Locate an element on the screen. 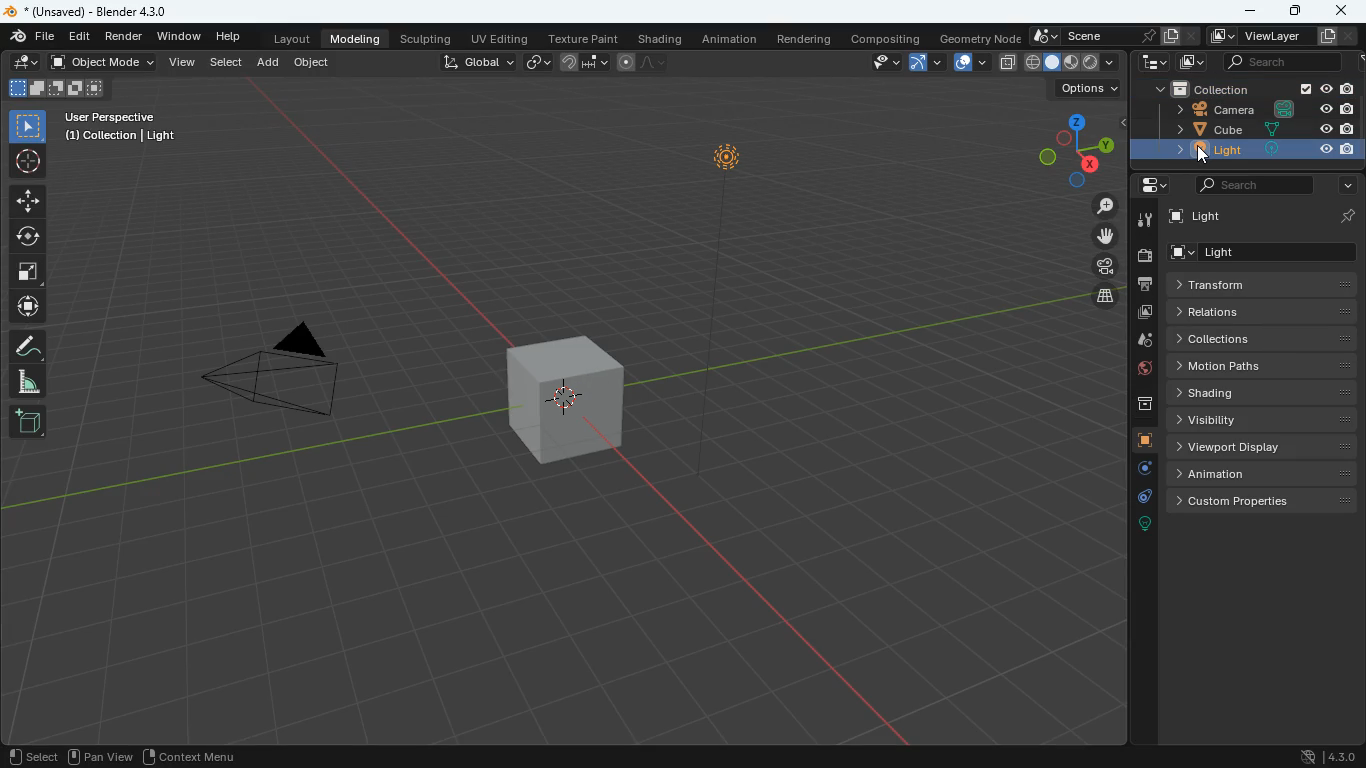 The width and height of the screenshot is (1366, 768). global is located at coordinates (478, 64).